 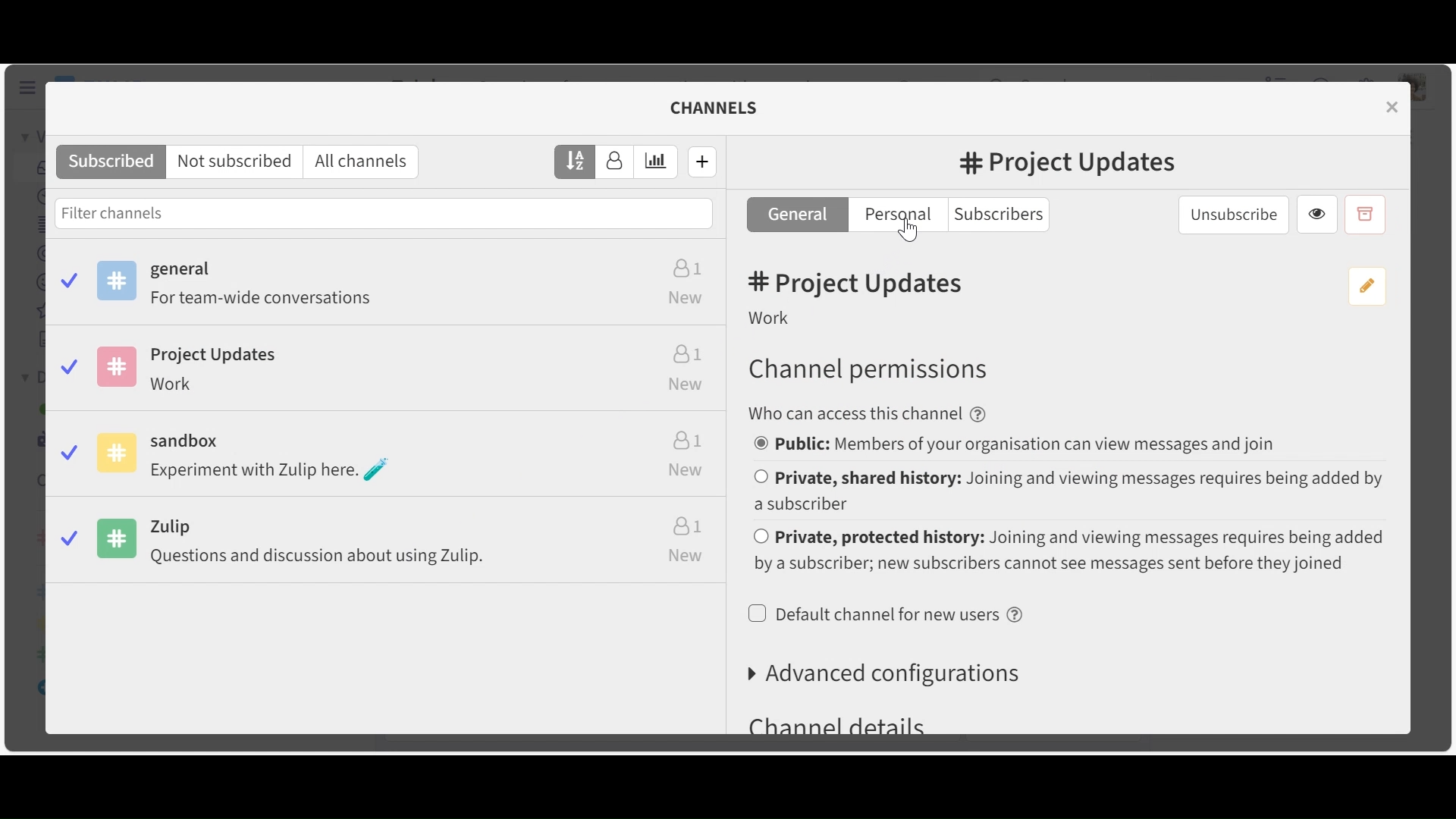 I want to click on , so click(x=795, y=213).